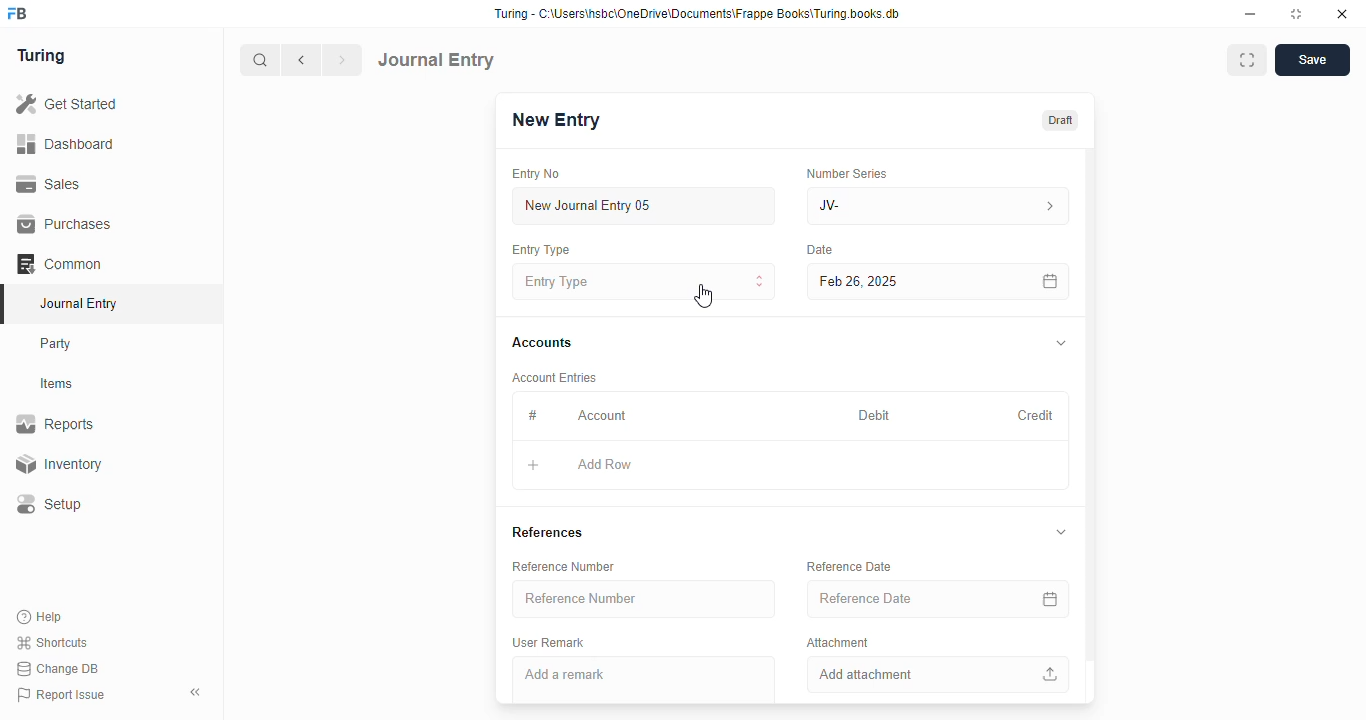  I want to click on credit, so click(1037, 415).